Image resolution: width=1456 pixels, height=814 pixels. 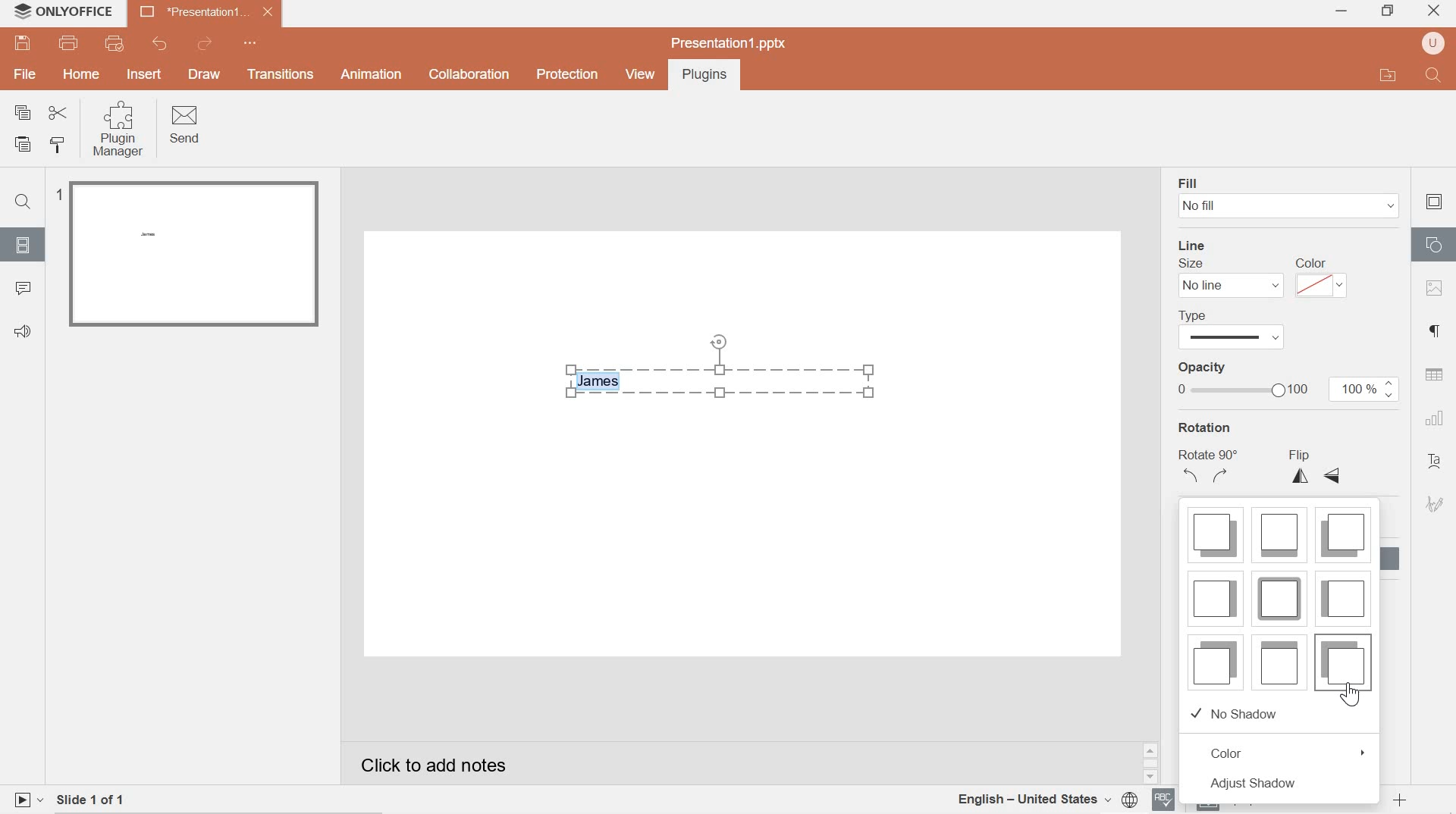 I want to click on file, so click(x=26, y=76).